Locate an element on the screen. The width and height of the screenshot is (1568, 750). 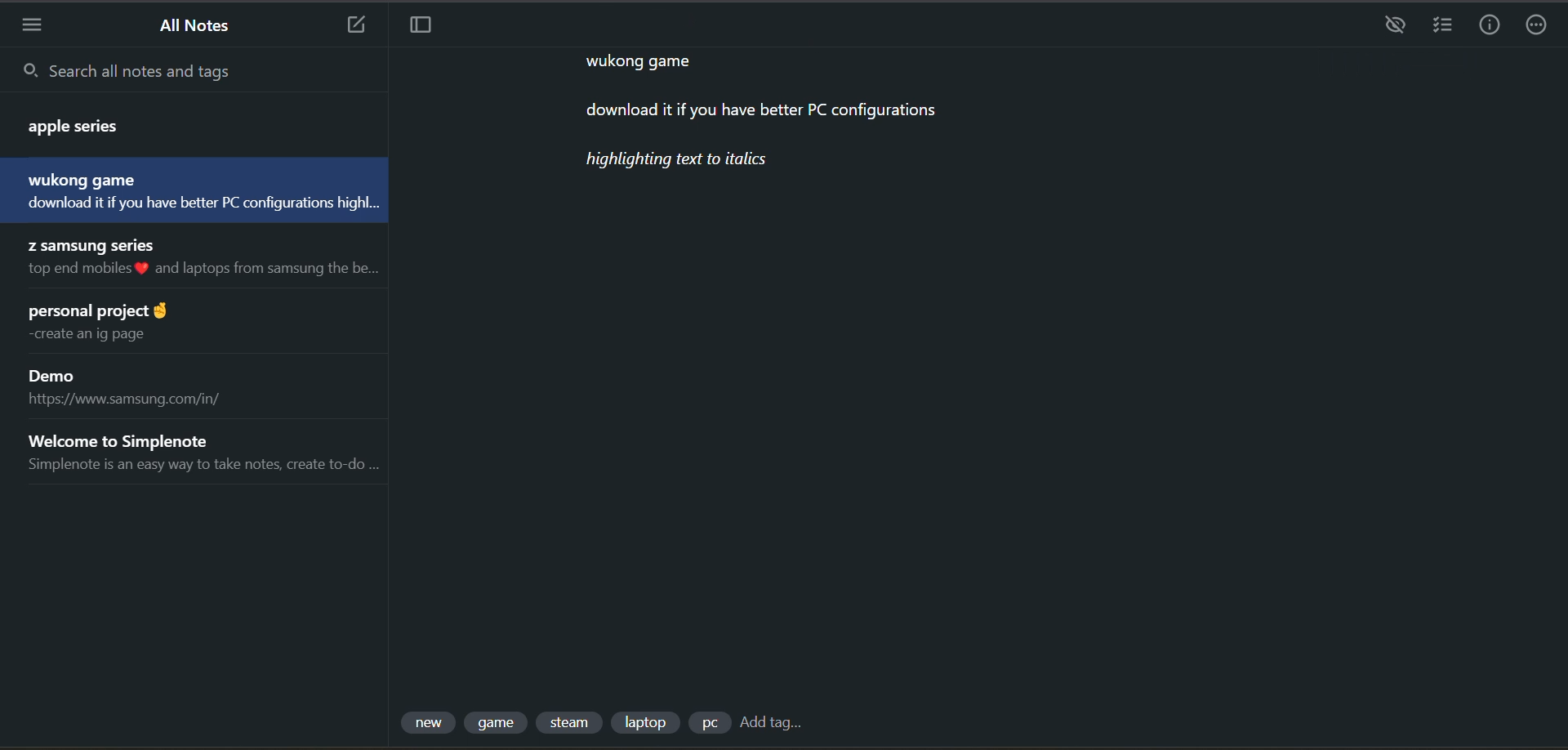
tag 1 is located at coordinates (430, 723).